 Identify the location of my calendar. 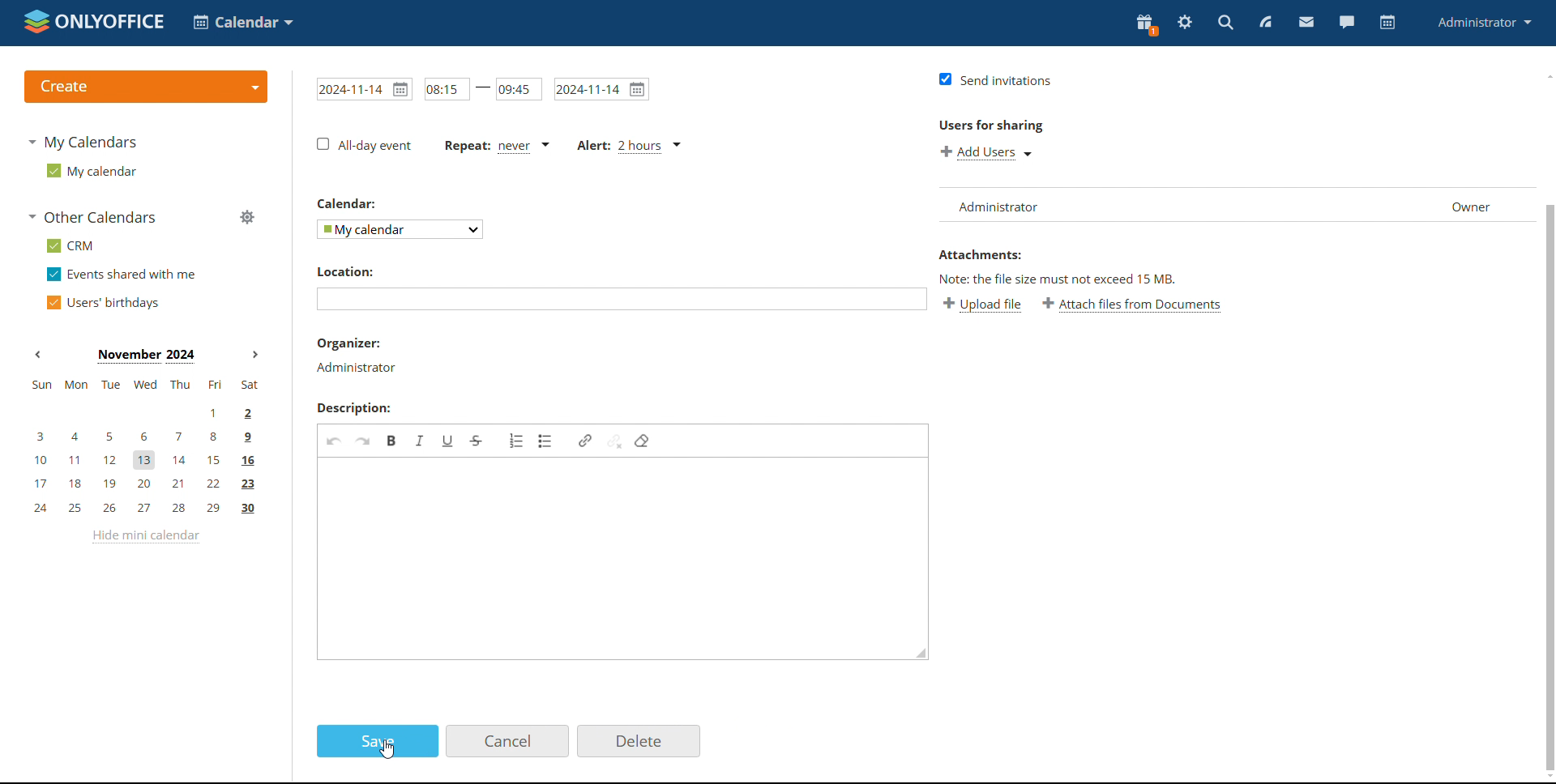
(91, 172).